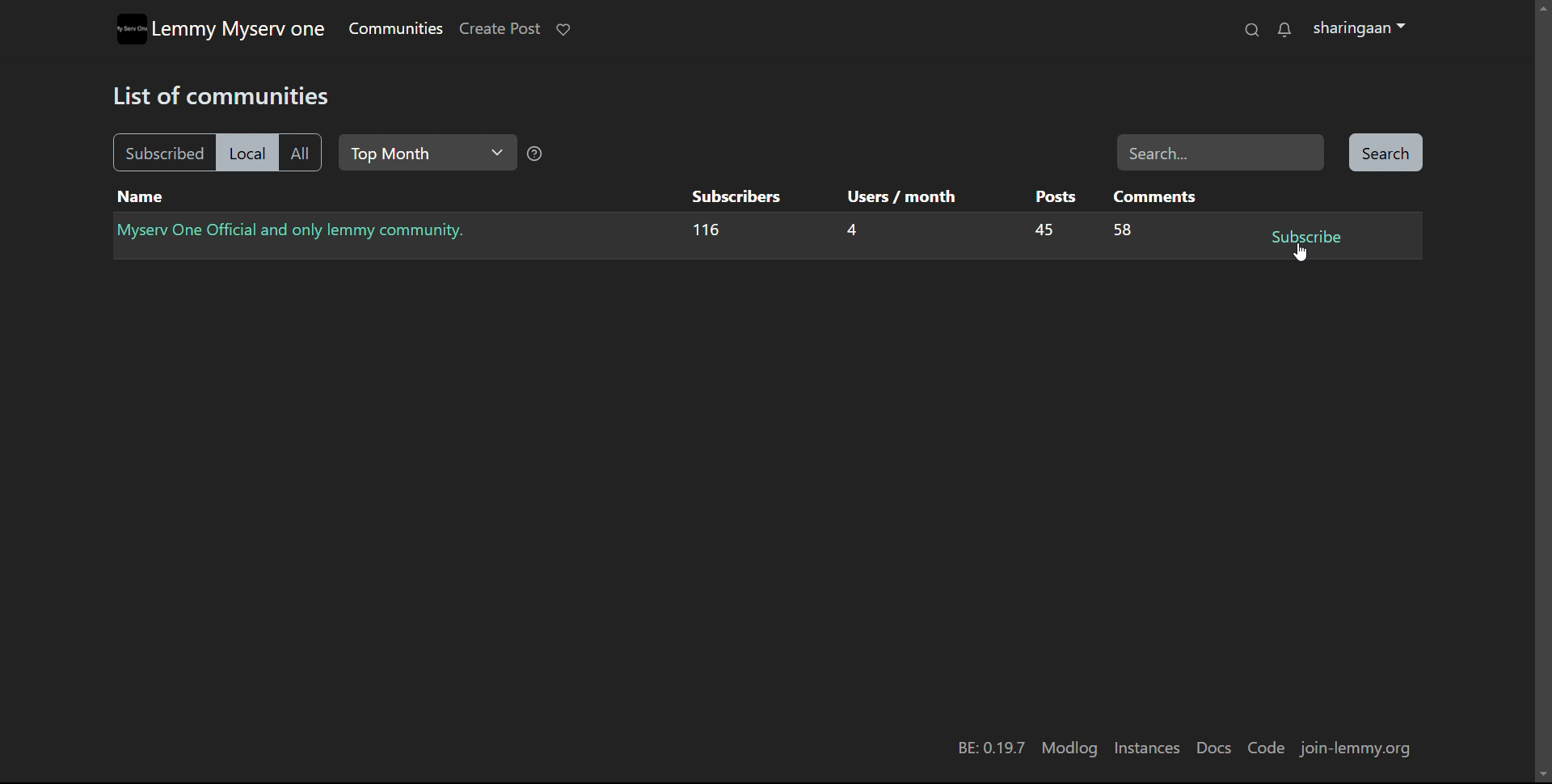  Describe the element at coordinates (1040, 231) in the screenshot. I see `45` at that location.